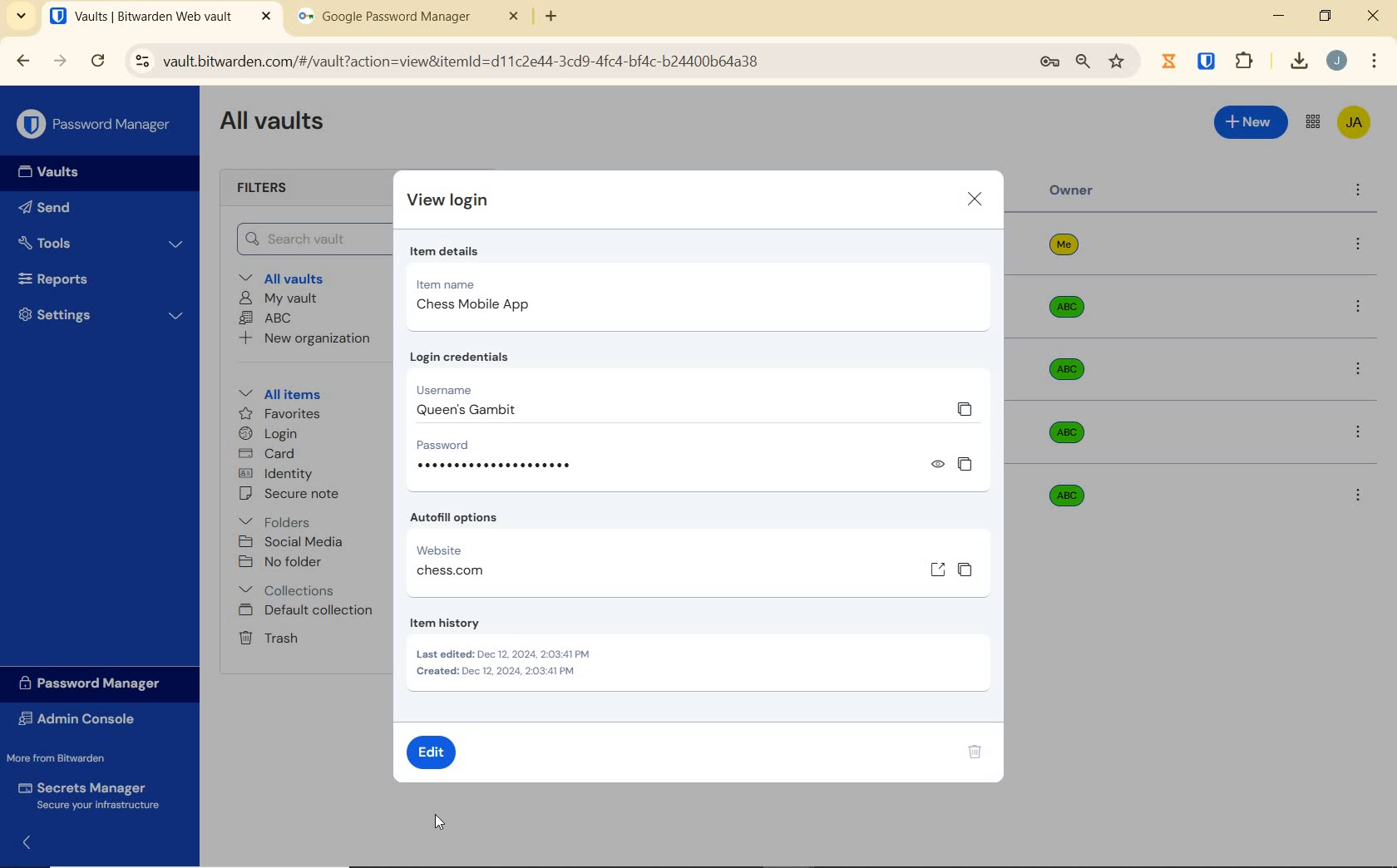 The width and height of the screenshot is (1397, 868). Describe the element at coordinates (45, 210) in the screenshot. I see `Send` at that location.